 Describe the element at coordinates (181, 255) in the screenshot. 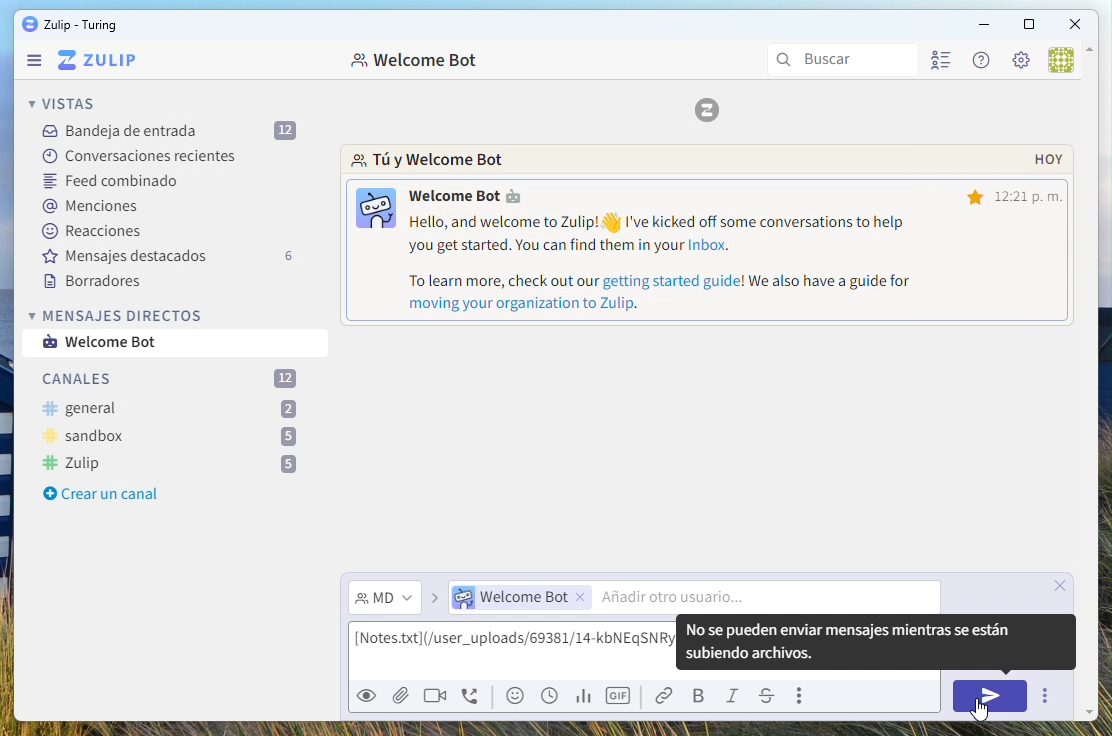

I see `Important Messages` at that location.